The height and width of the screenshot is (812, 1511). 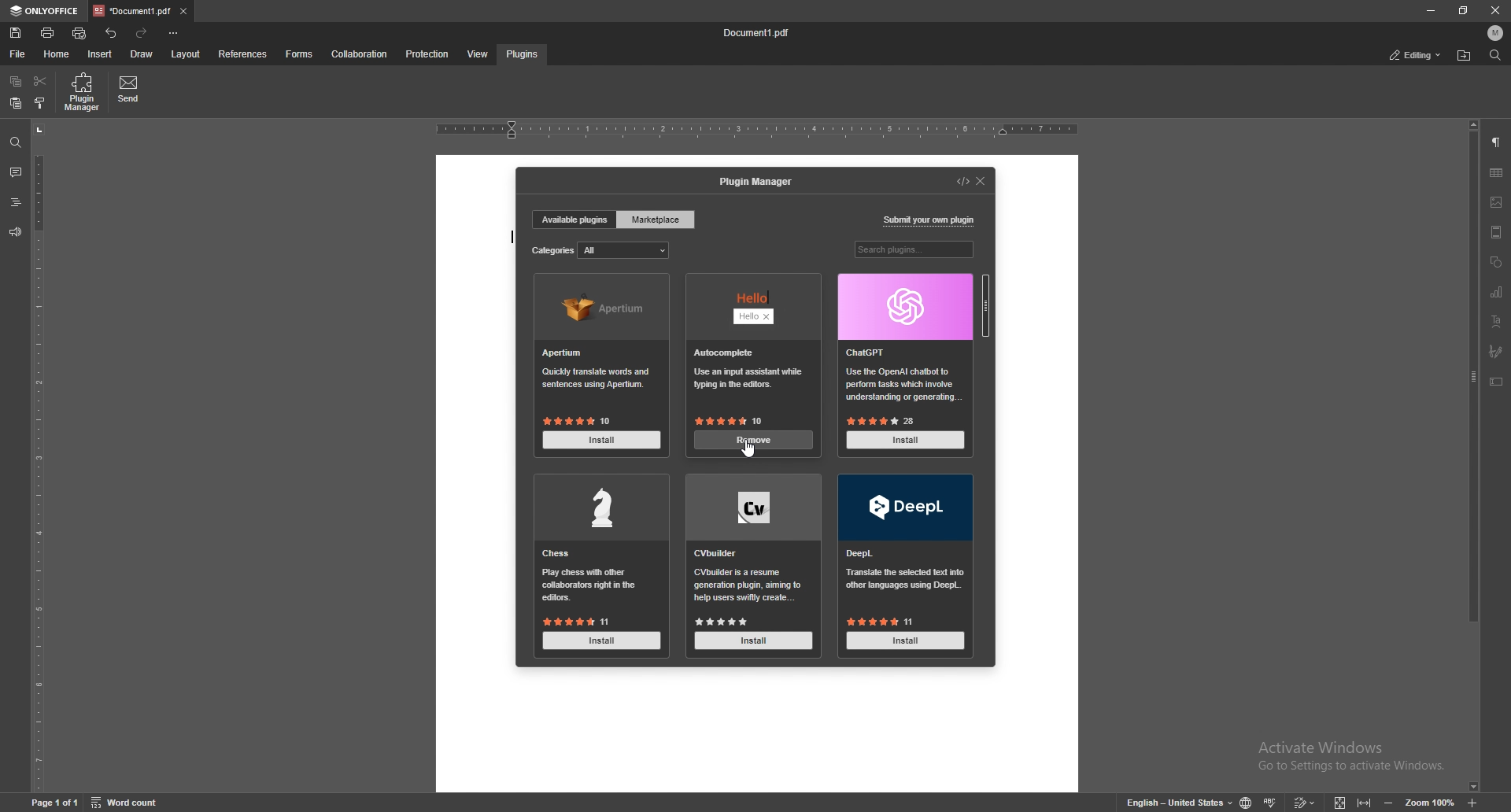 I want to click on file, so click(x=17, y=54).